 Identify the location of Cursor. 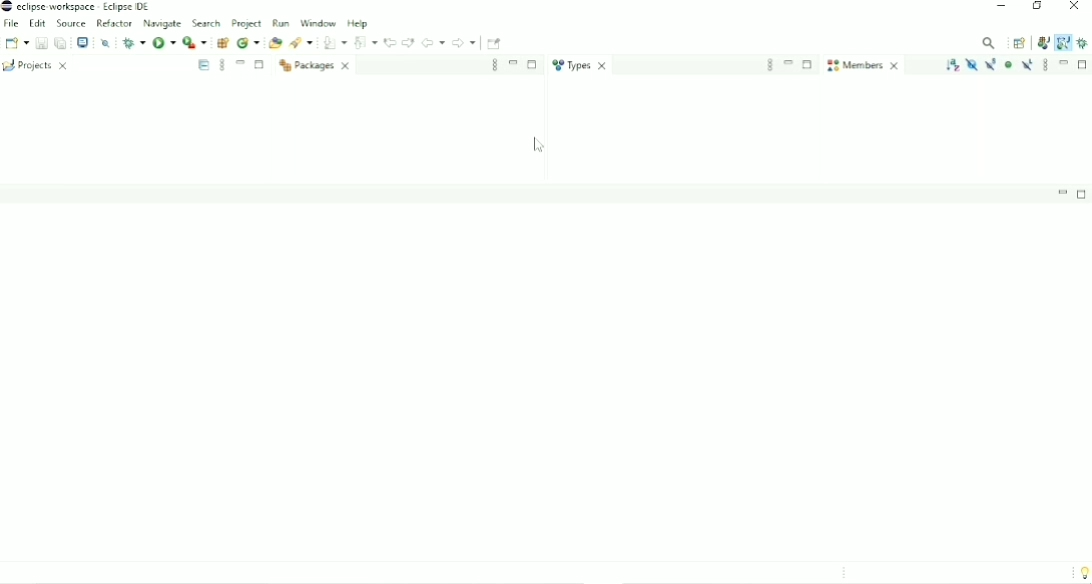
(541, 146).